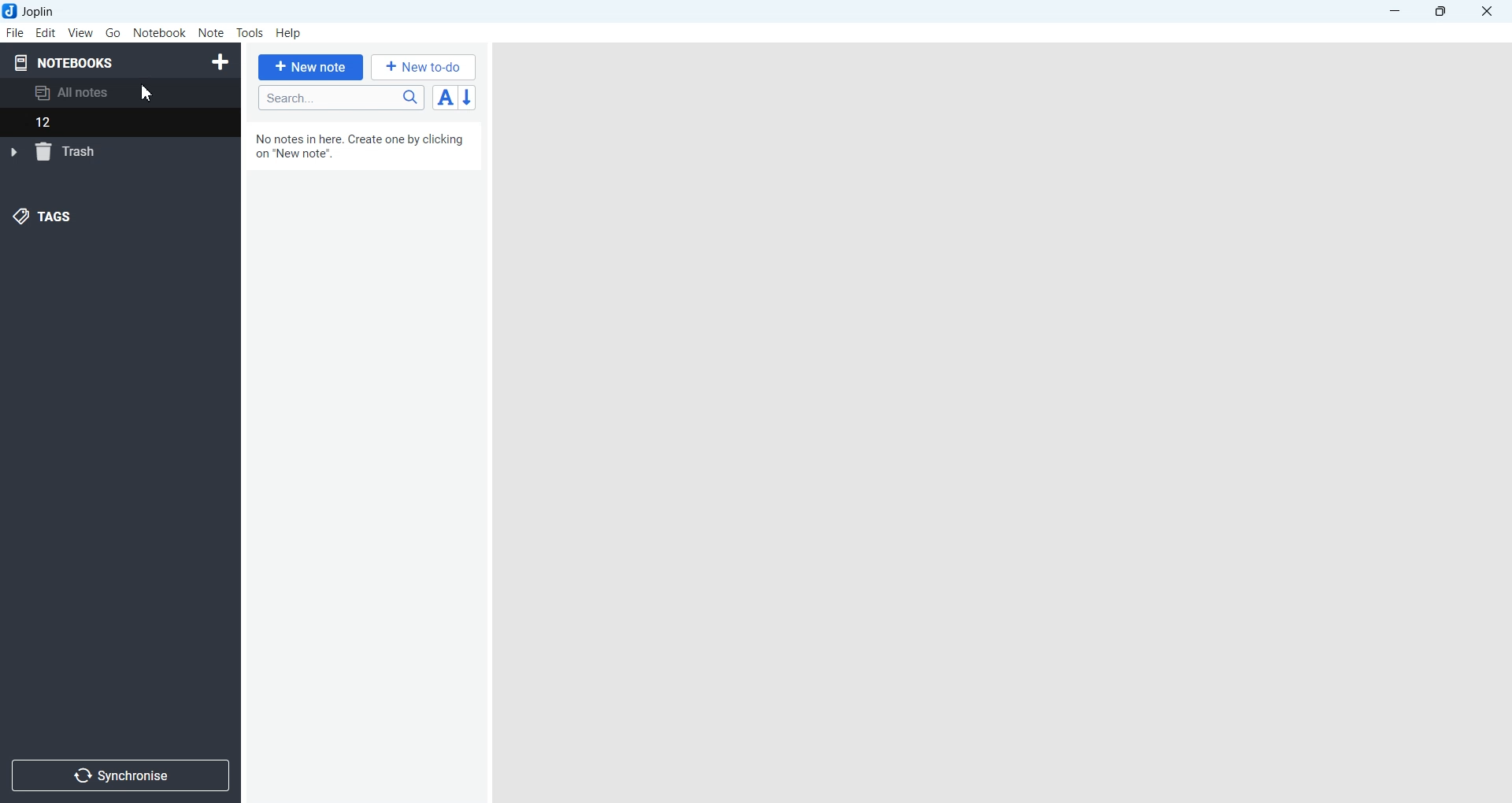 The width and height of the screenshot is (1512, 803). I want to click on All notes, so click(120, 90).